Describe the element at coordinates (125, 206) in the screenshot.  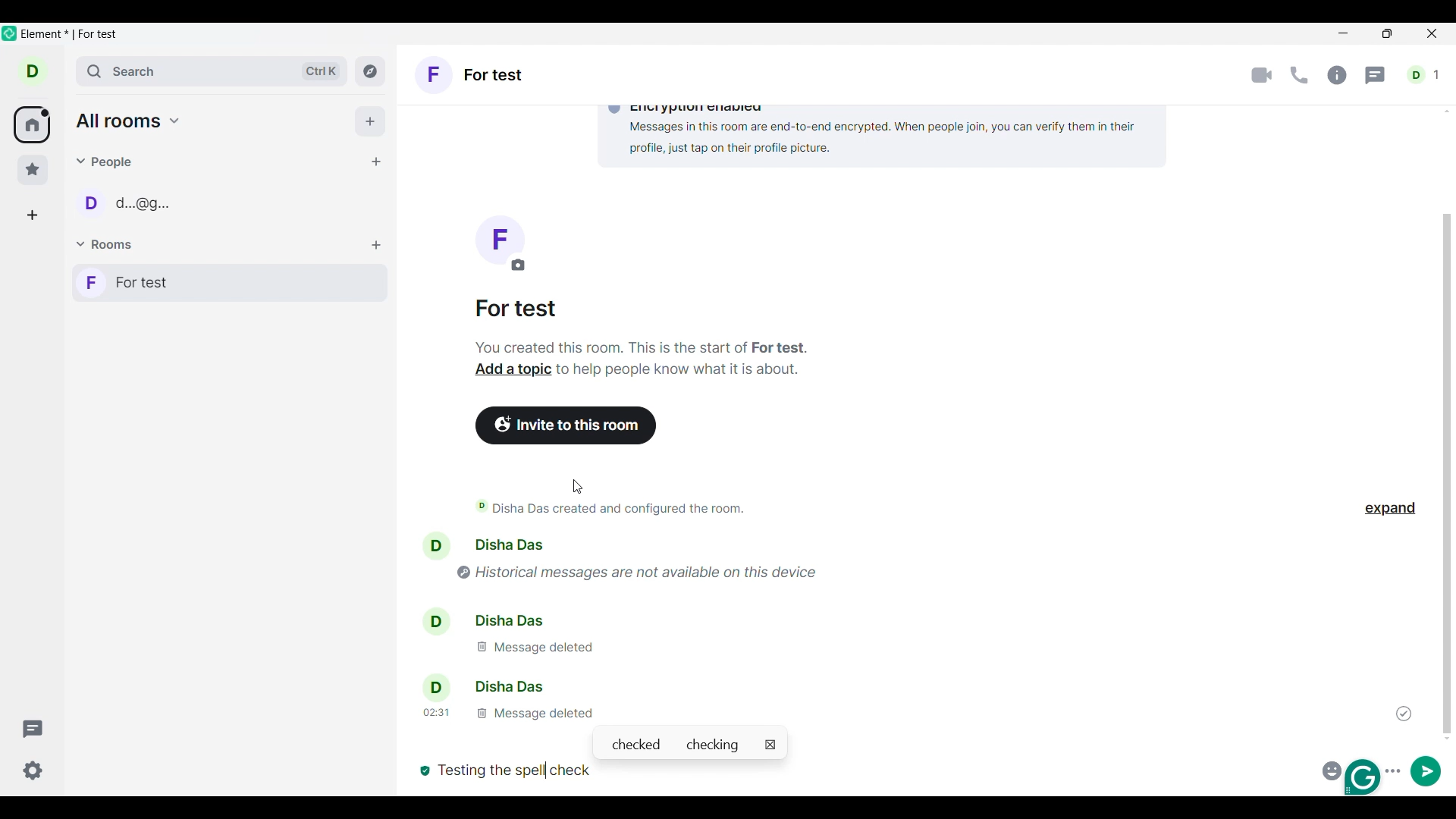
I see `D d.@g..` at that location.